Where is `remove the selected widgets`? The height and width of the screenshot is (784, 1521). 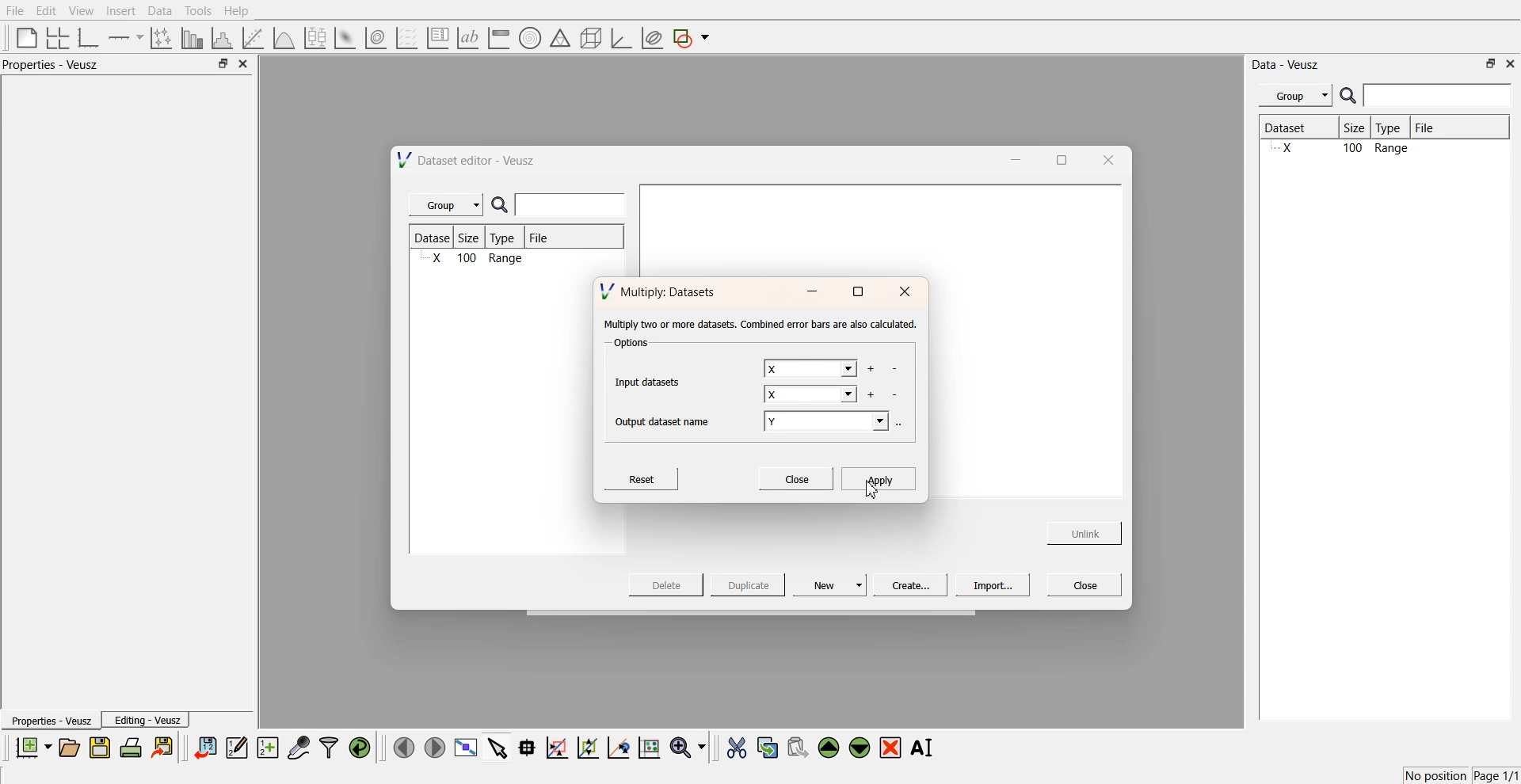 remove the selected widgets is located at coordinates (892, 748).